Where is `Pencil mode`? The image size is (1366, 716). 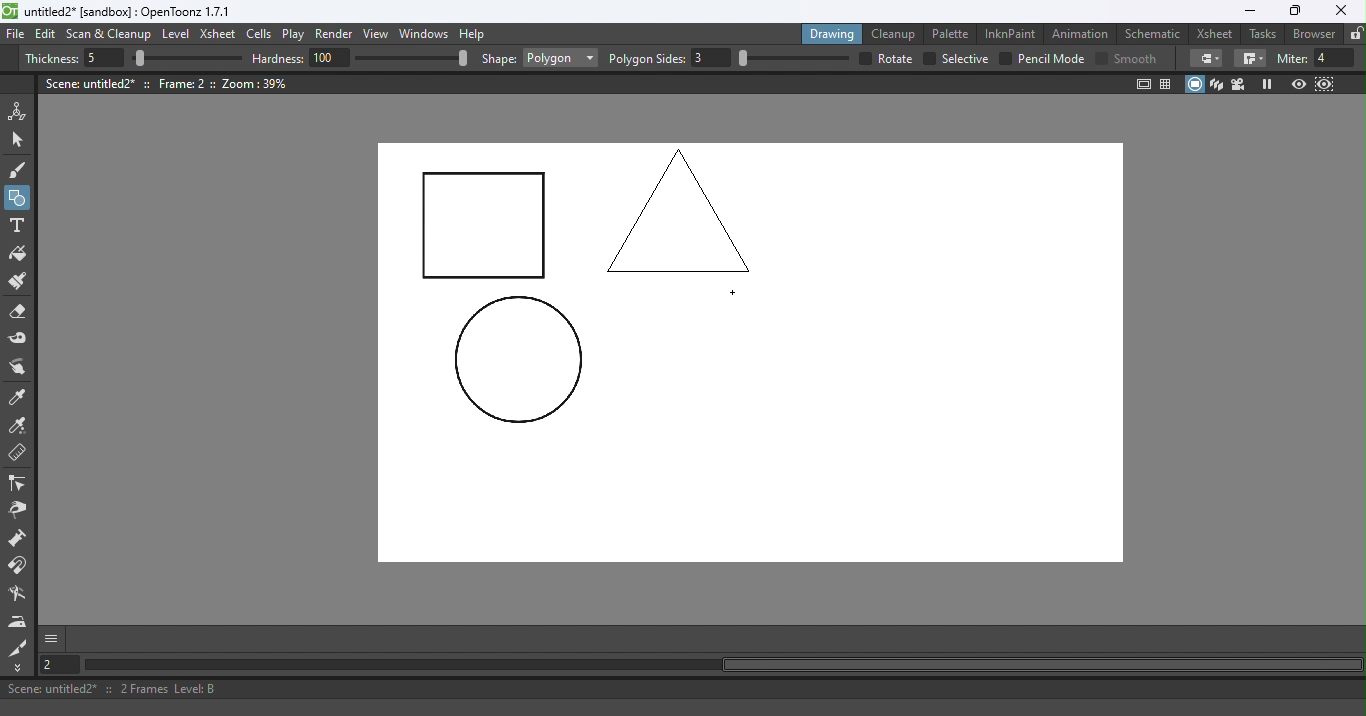 Pencil mode is located at coordinates (1050, 59).